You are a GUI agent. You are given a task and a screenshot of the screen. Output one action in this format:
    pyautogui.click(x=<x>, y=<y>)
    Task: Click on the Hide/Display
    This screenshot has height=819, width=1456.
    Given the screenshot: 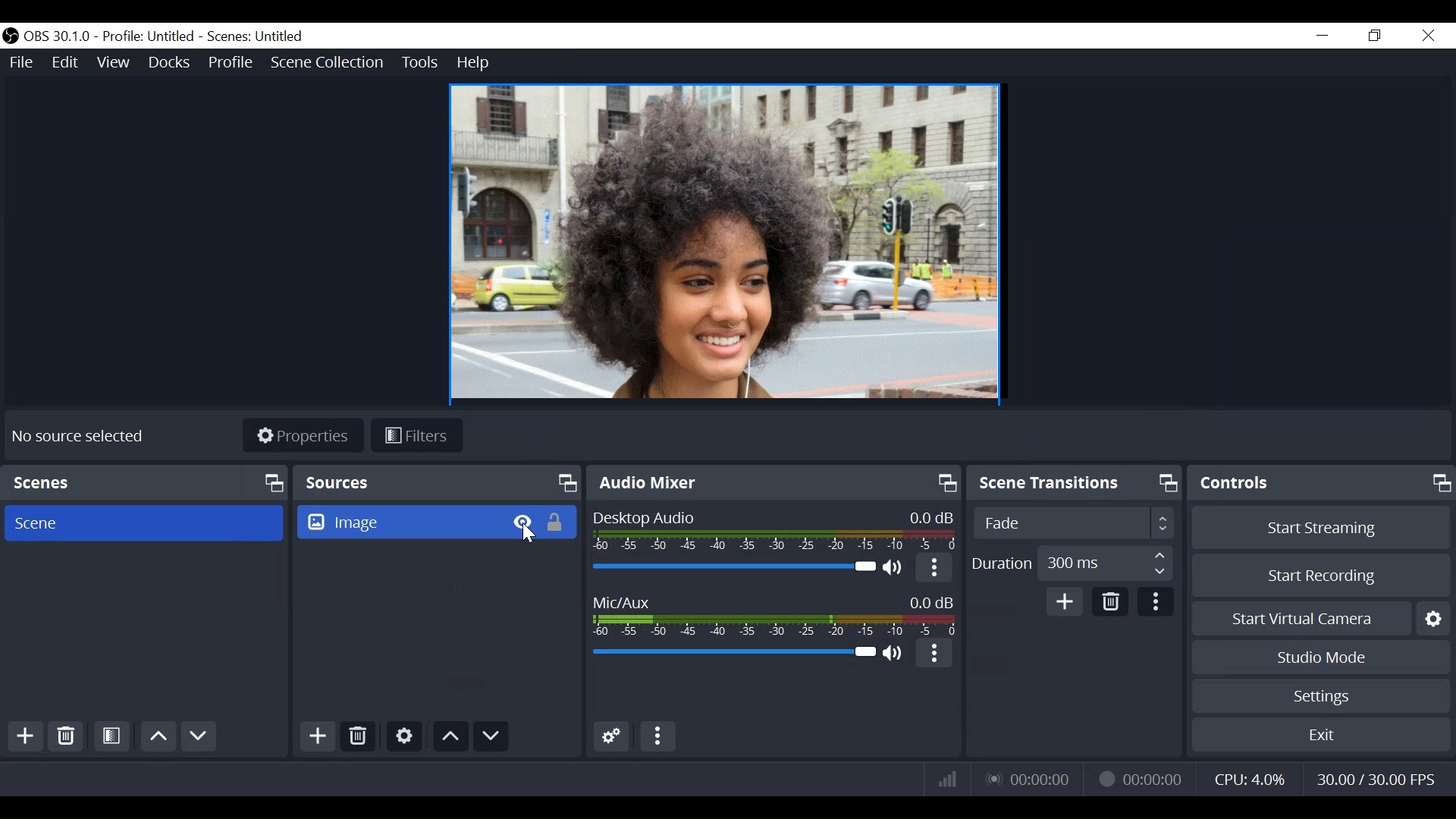 What is the action you would take?
    pyautogui.click(x=522, y=522)
    